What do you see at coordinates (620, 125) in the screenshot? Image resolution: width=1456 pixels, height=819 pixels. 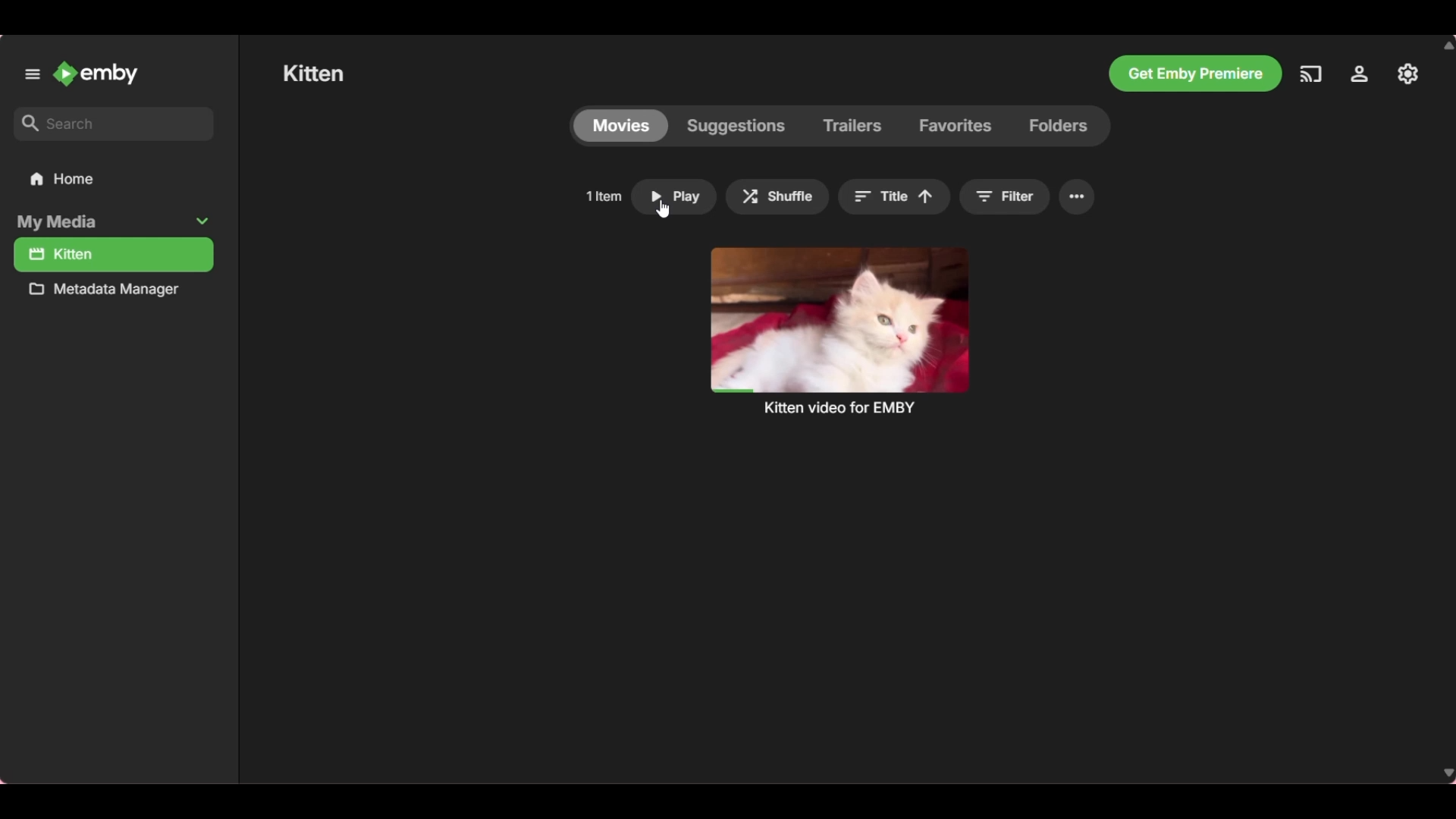 I see `Movies` at bounding box center [620, 125].